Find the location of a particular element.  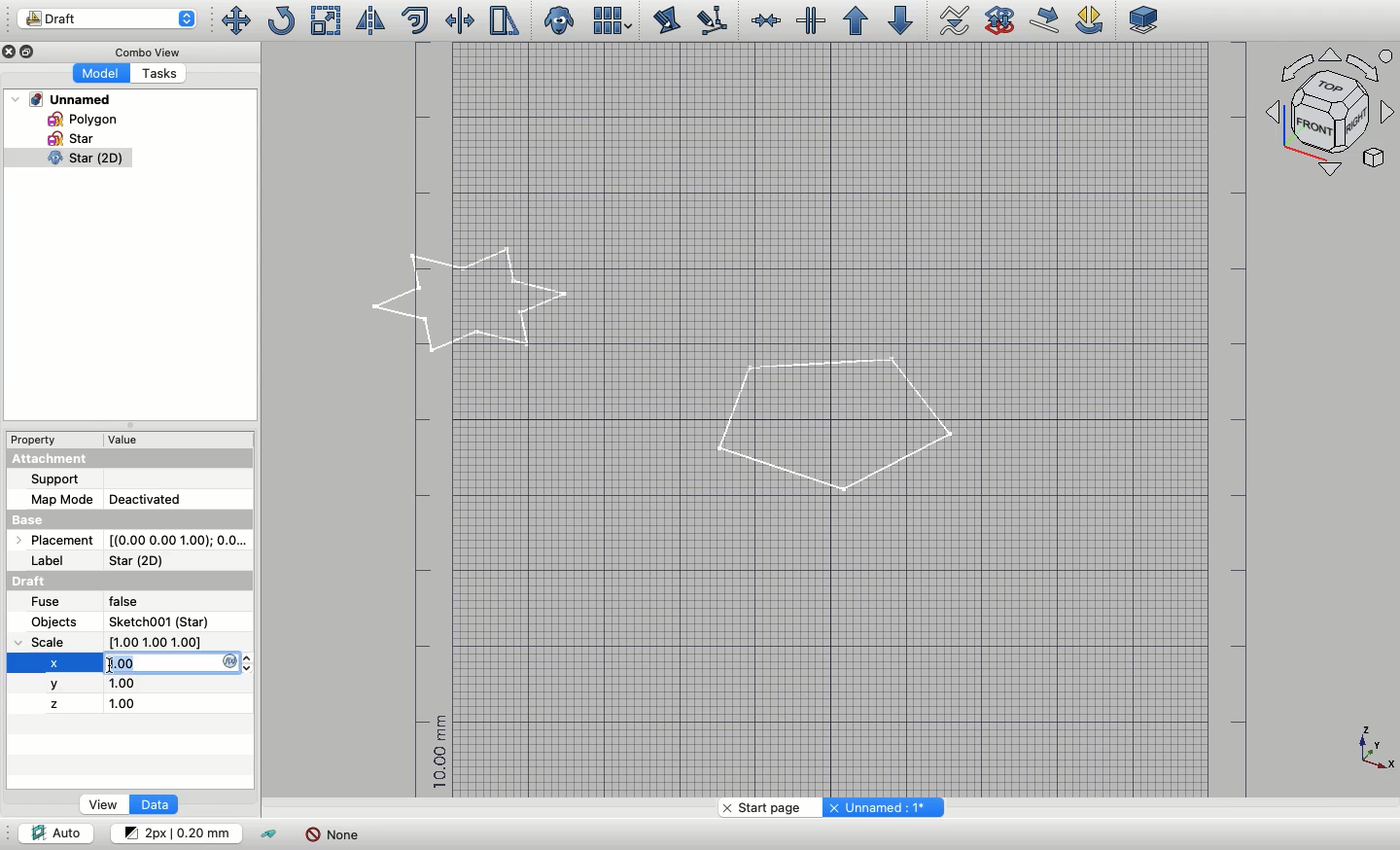

View is located at coordinates (104, 804).